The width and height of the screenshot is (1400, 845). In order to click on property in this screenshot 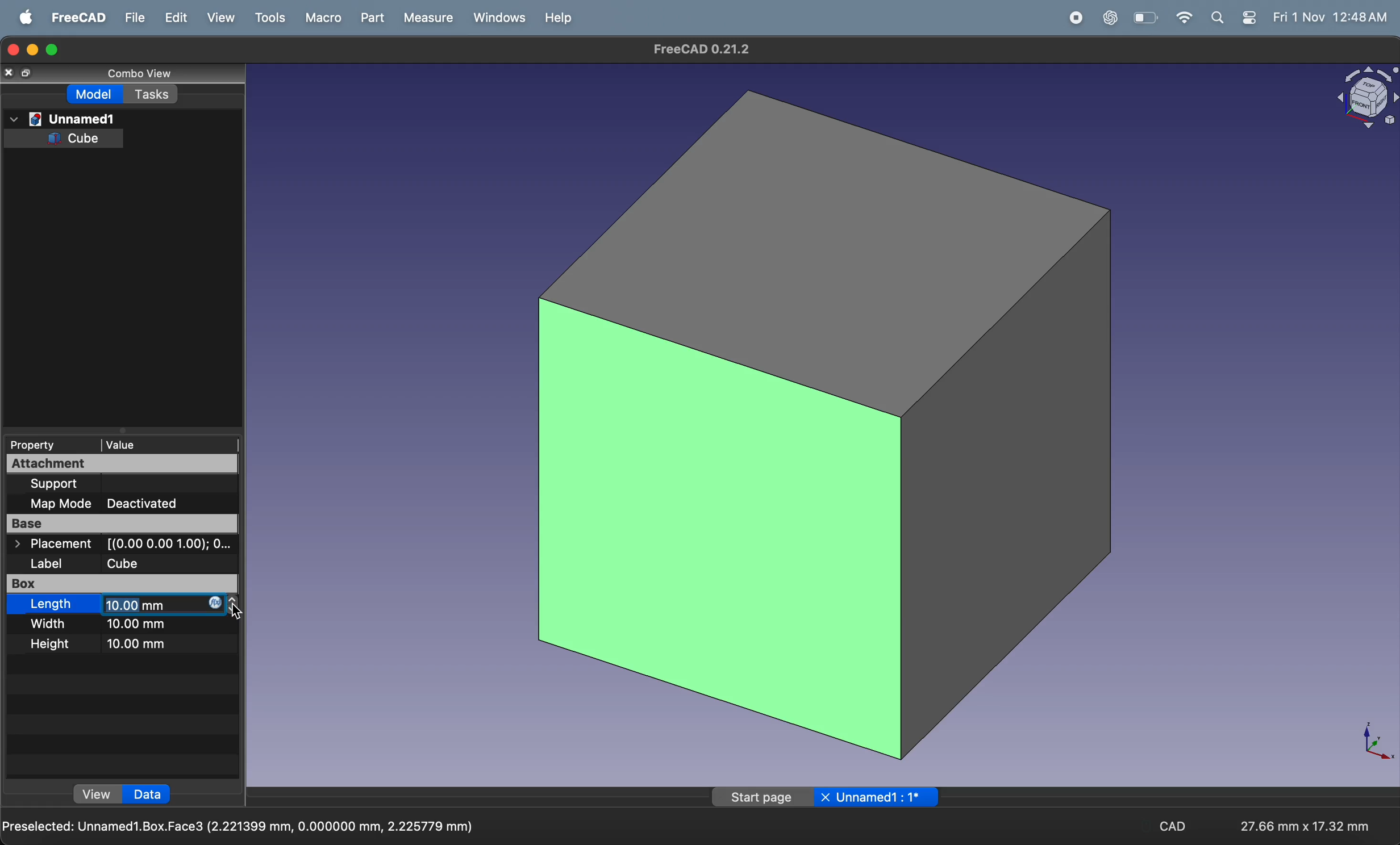, I will do `click(38, 445)`.